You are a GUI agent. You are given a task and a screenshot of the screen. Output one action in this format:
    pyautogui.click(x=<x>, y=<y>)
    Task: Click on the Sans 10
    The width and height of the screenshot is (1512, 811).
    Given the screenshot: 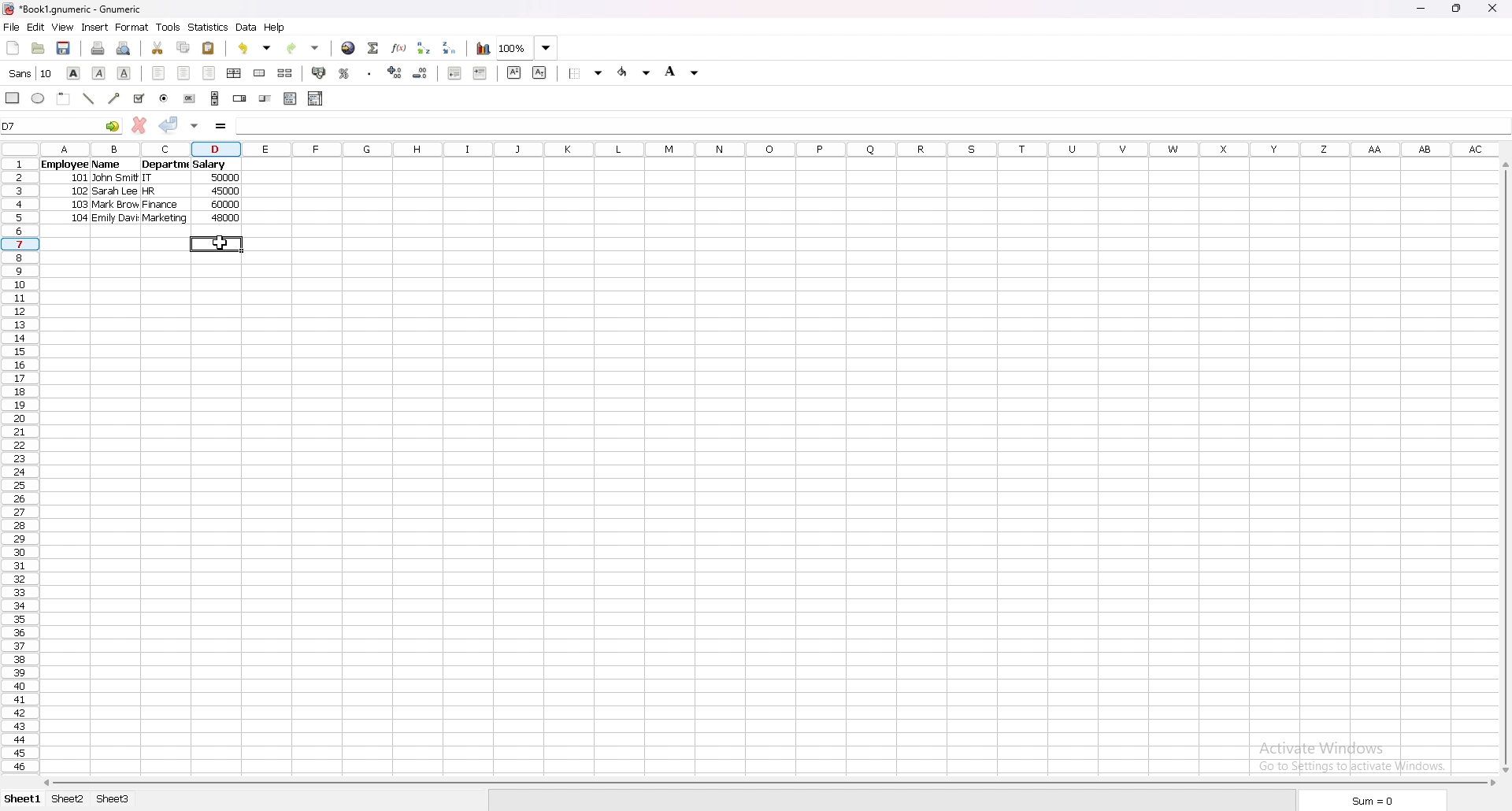 What is the action you would take?
    pyautogui.click(x=29, y=74)
    